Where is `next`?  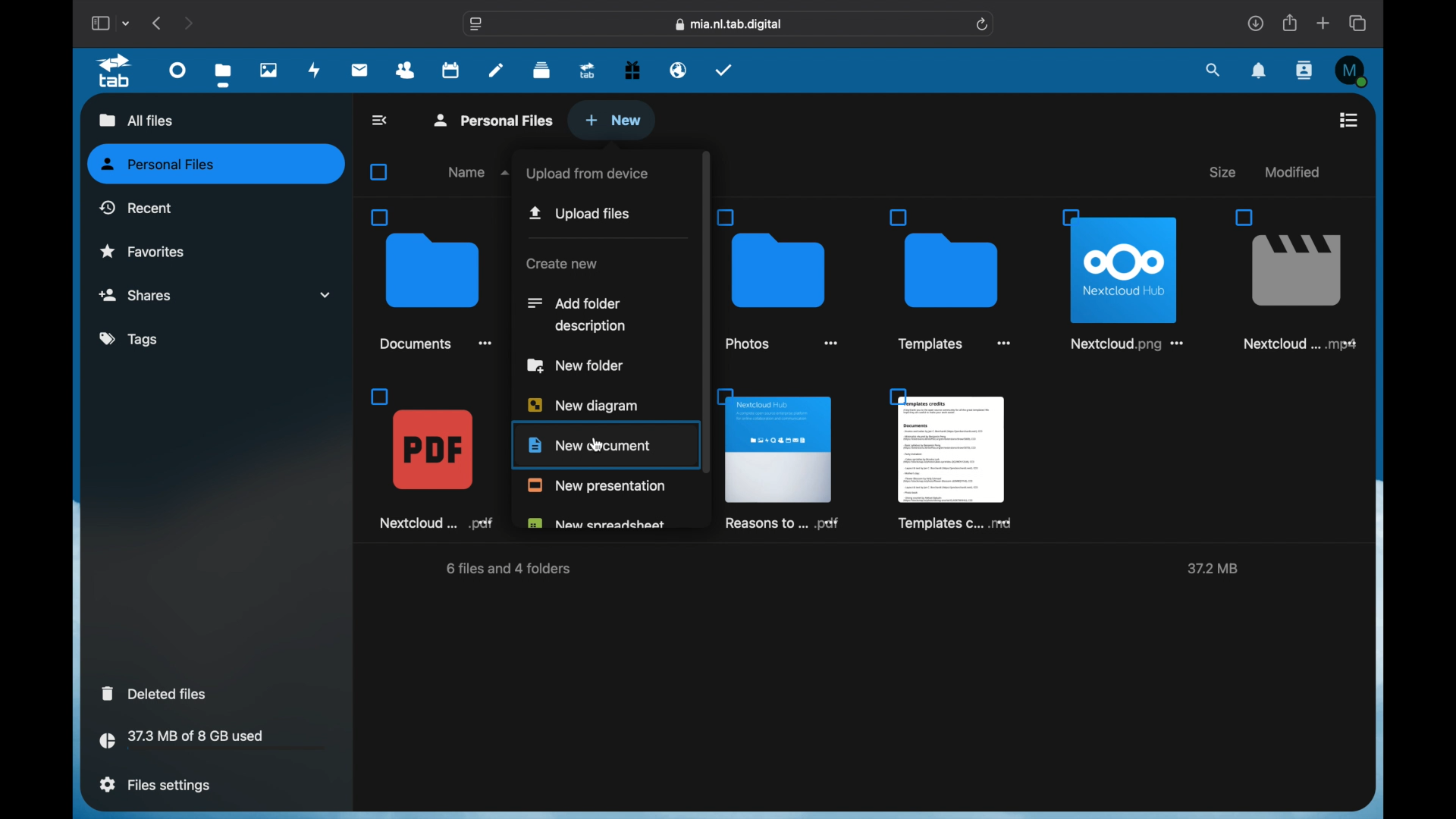
next is located at coordinates (188, 23).